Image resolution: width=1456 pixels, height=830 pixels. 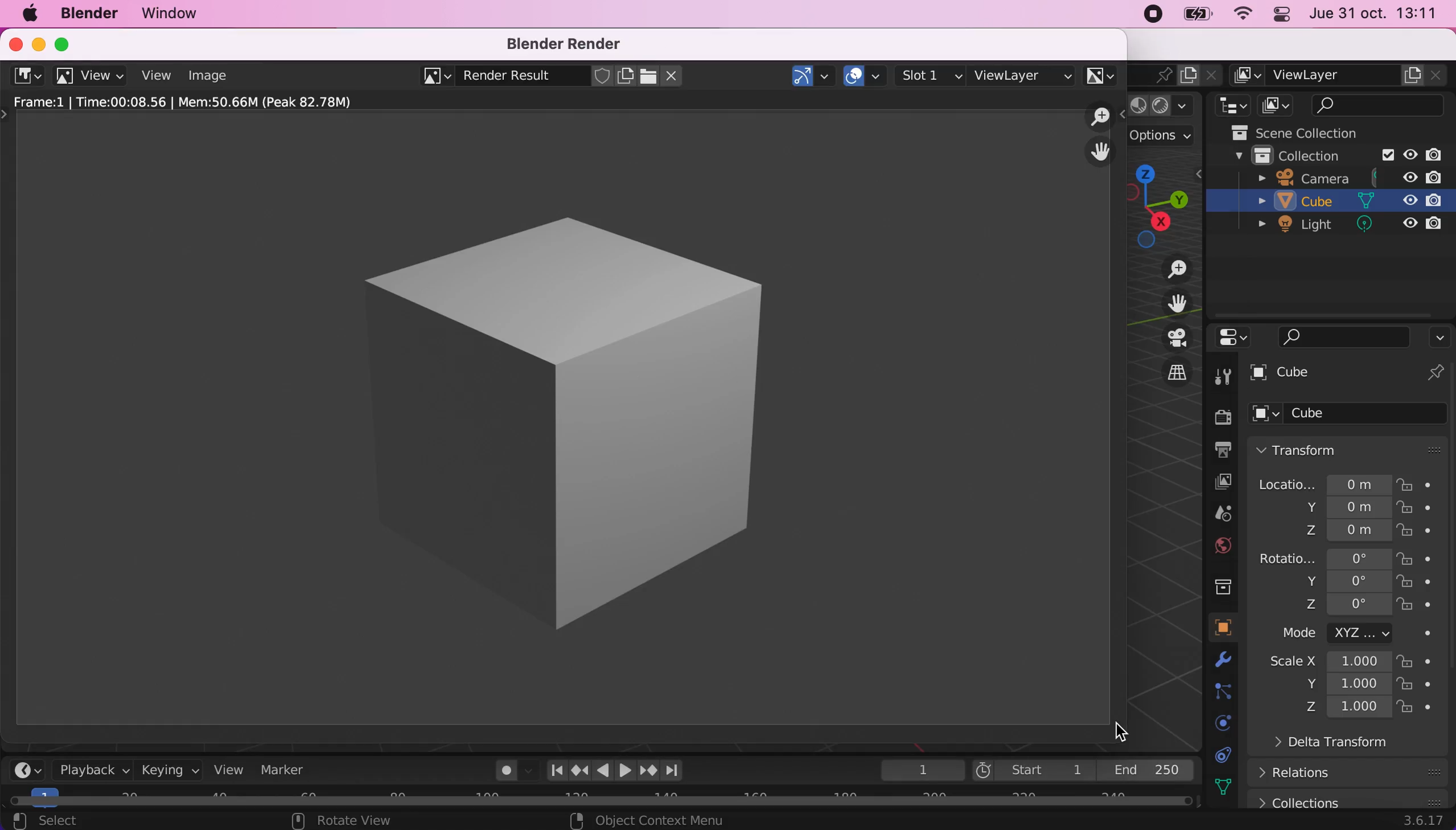 I want to click on recording stopped, so click(x=1150, y=15).